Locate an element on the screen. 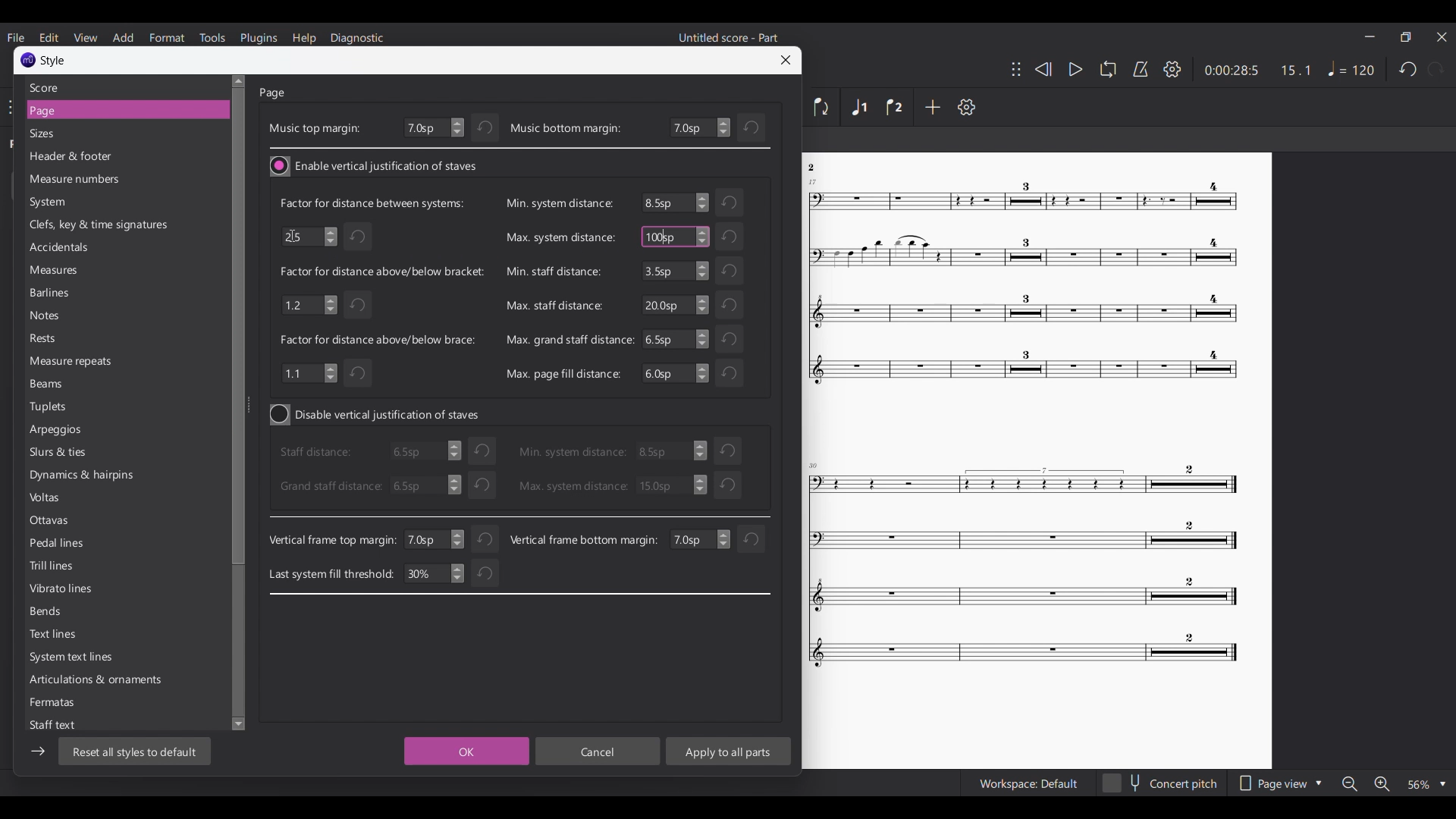 Image resolution: width=1456 pixels, height=819 pixels. 6.5sp is located at coordinates (676, 339).